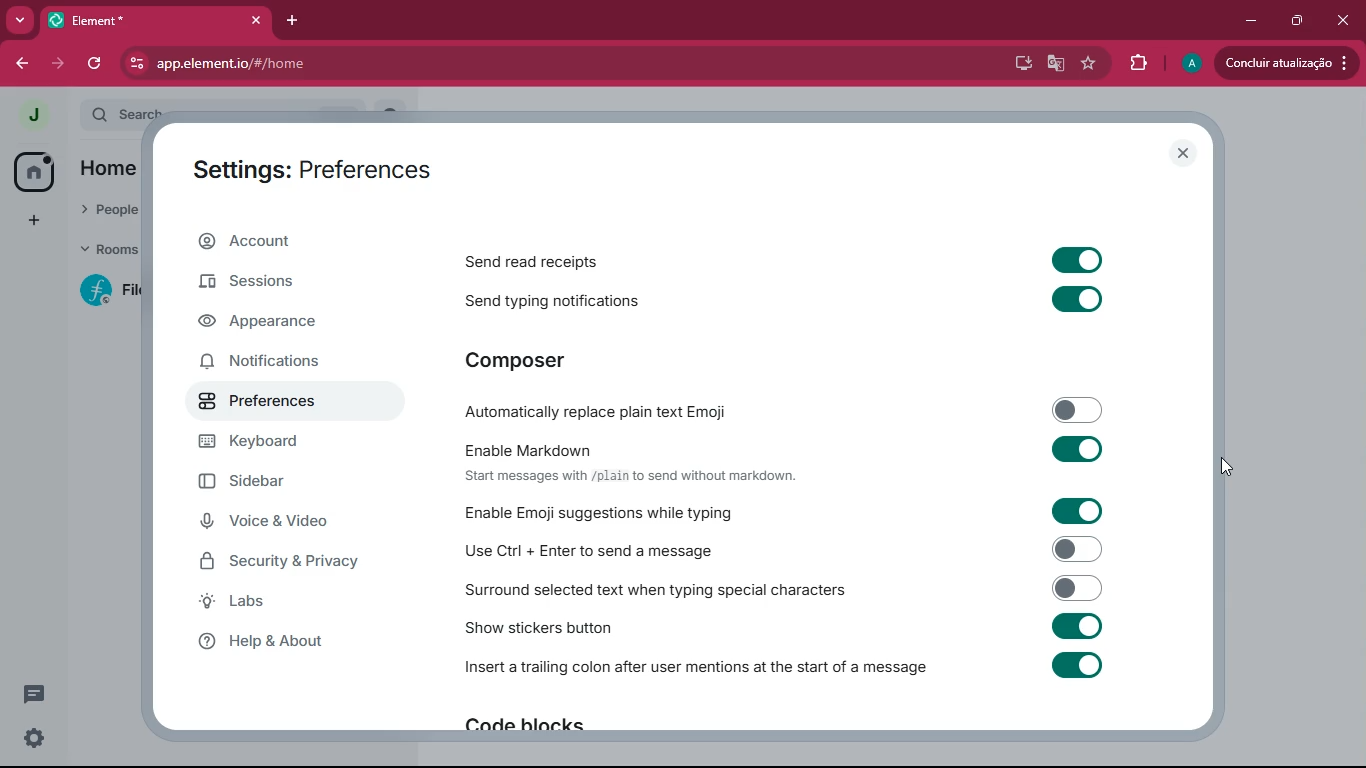  What do you see at coordinates (634, 479) in the screenshot?
I see `‘Start messages with /plain to send without markdown.` at bounding box center [634, 479].